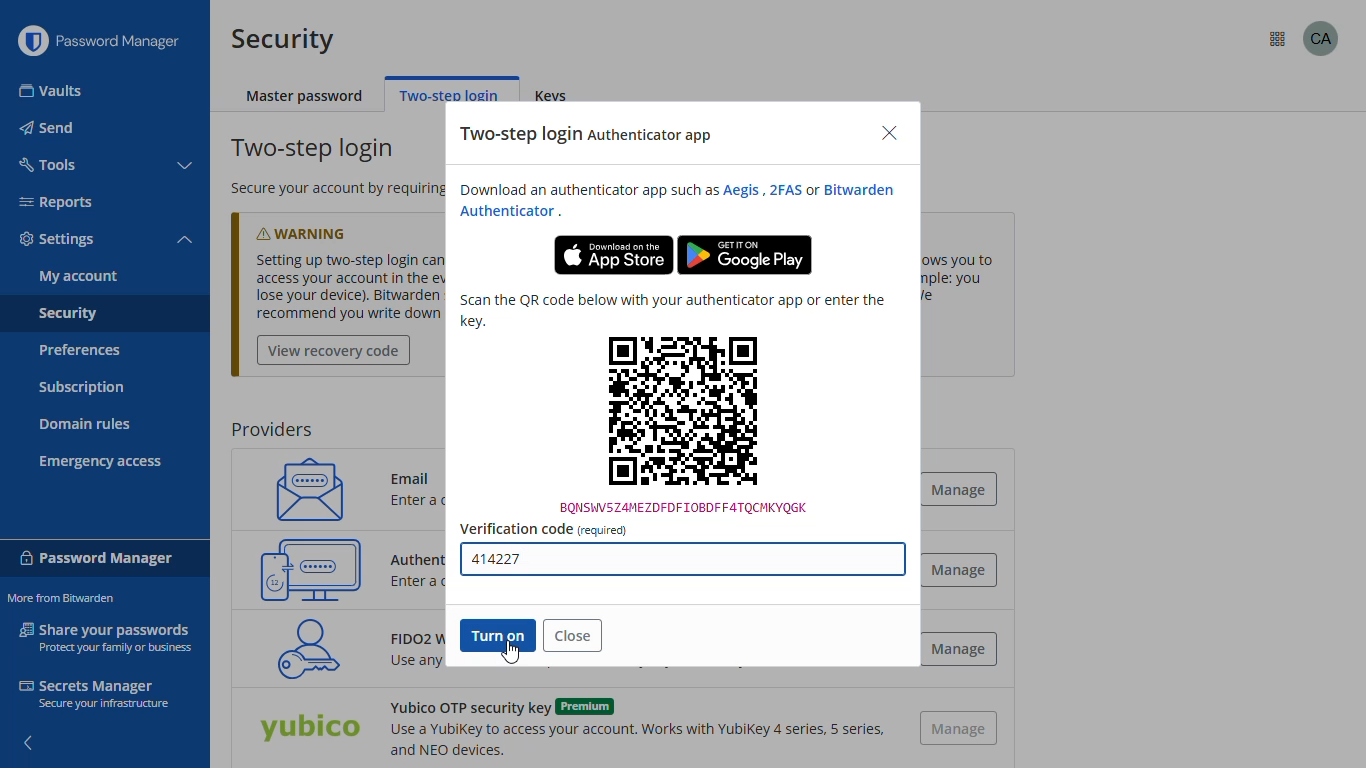  I want to click on authenticator app, so click(311, 569).